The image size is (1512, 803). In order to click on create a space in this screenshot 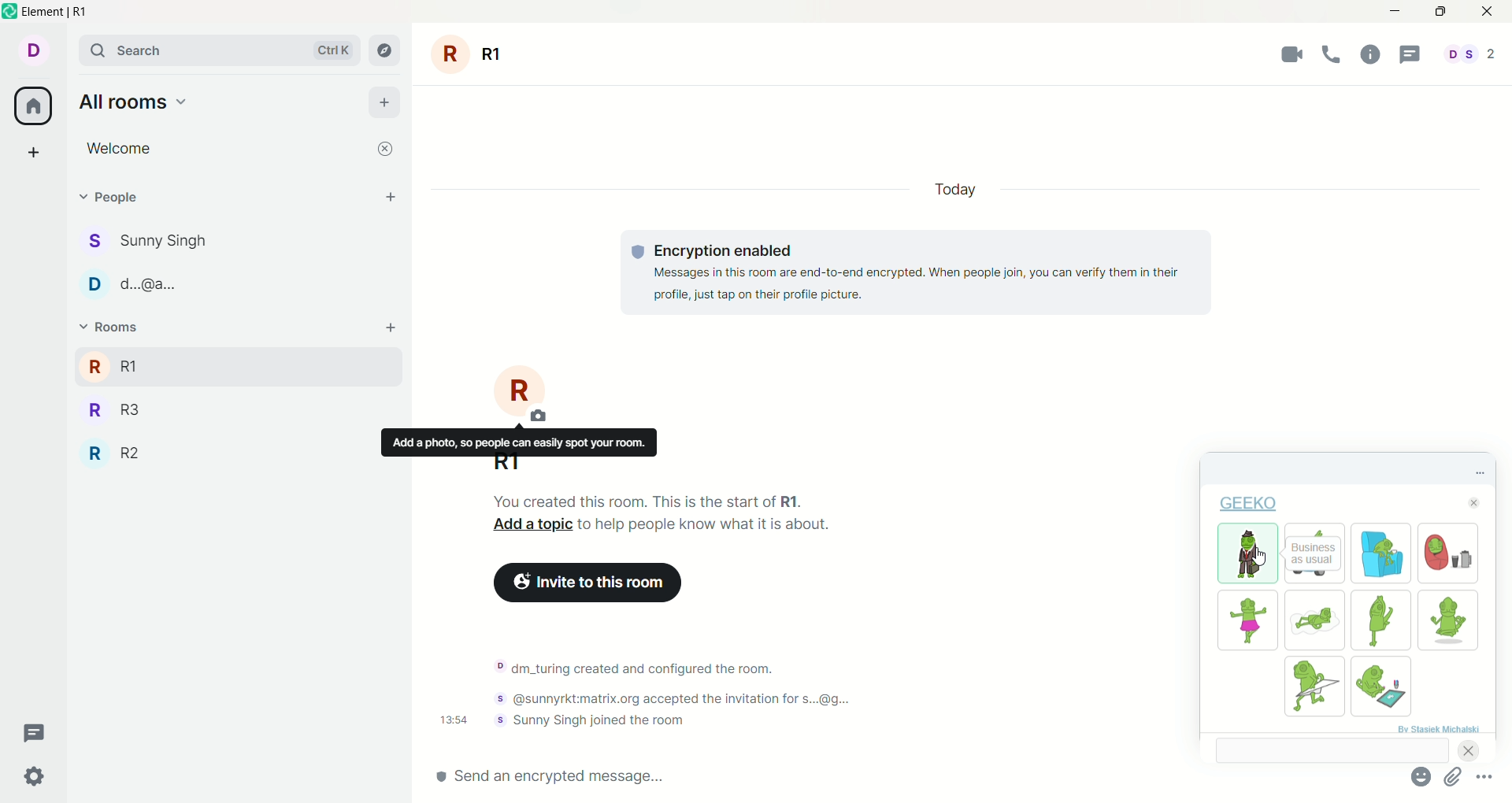, I will do `click(34, 152)`.